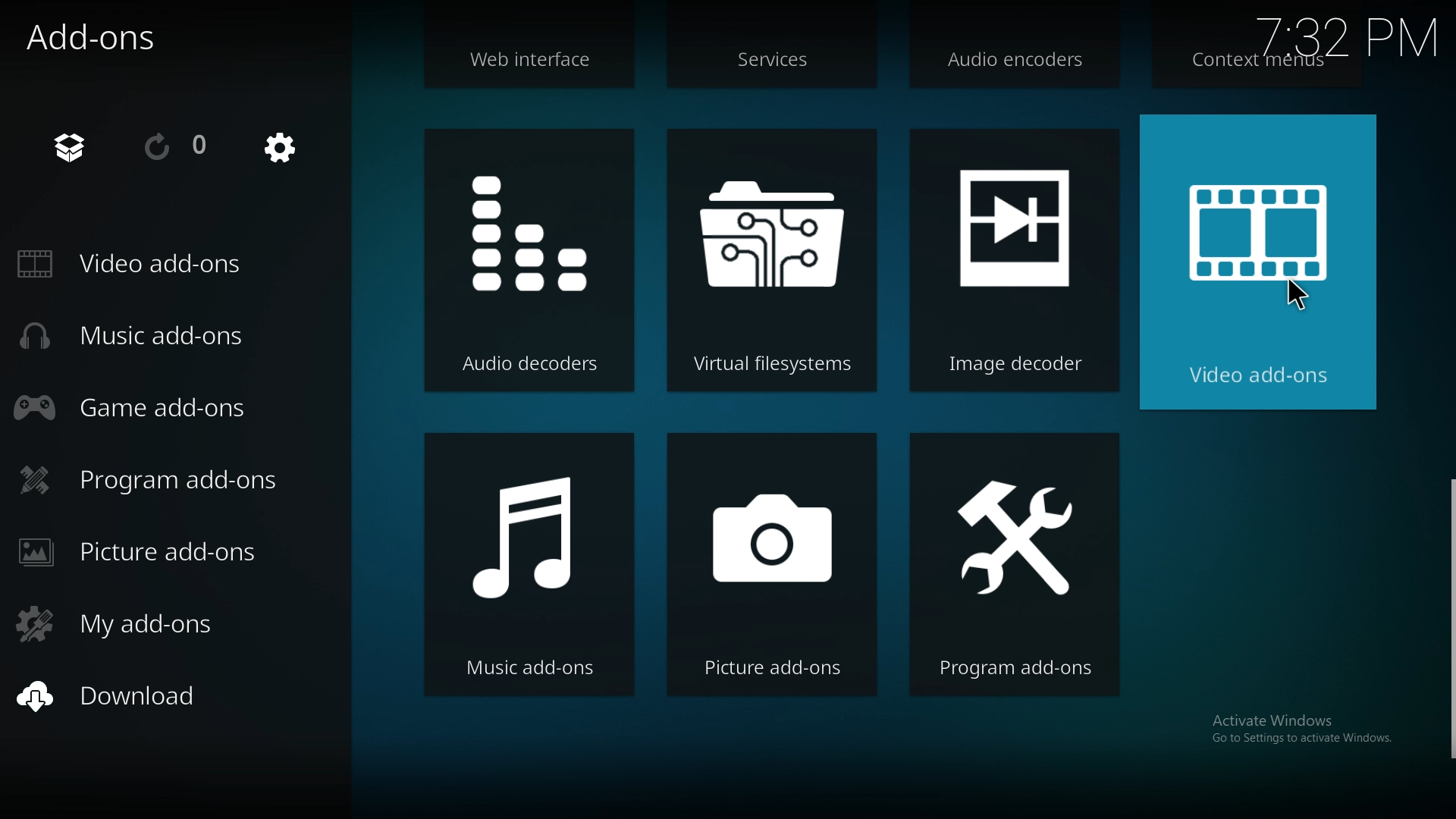  Describe the element at coordinates (1016, 566) in the screenshot. I see `program add ons` at that location.